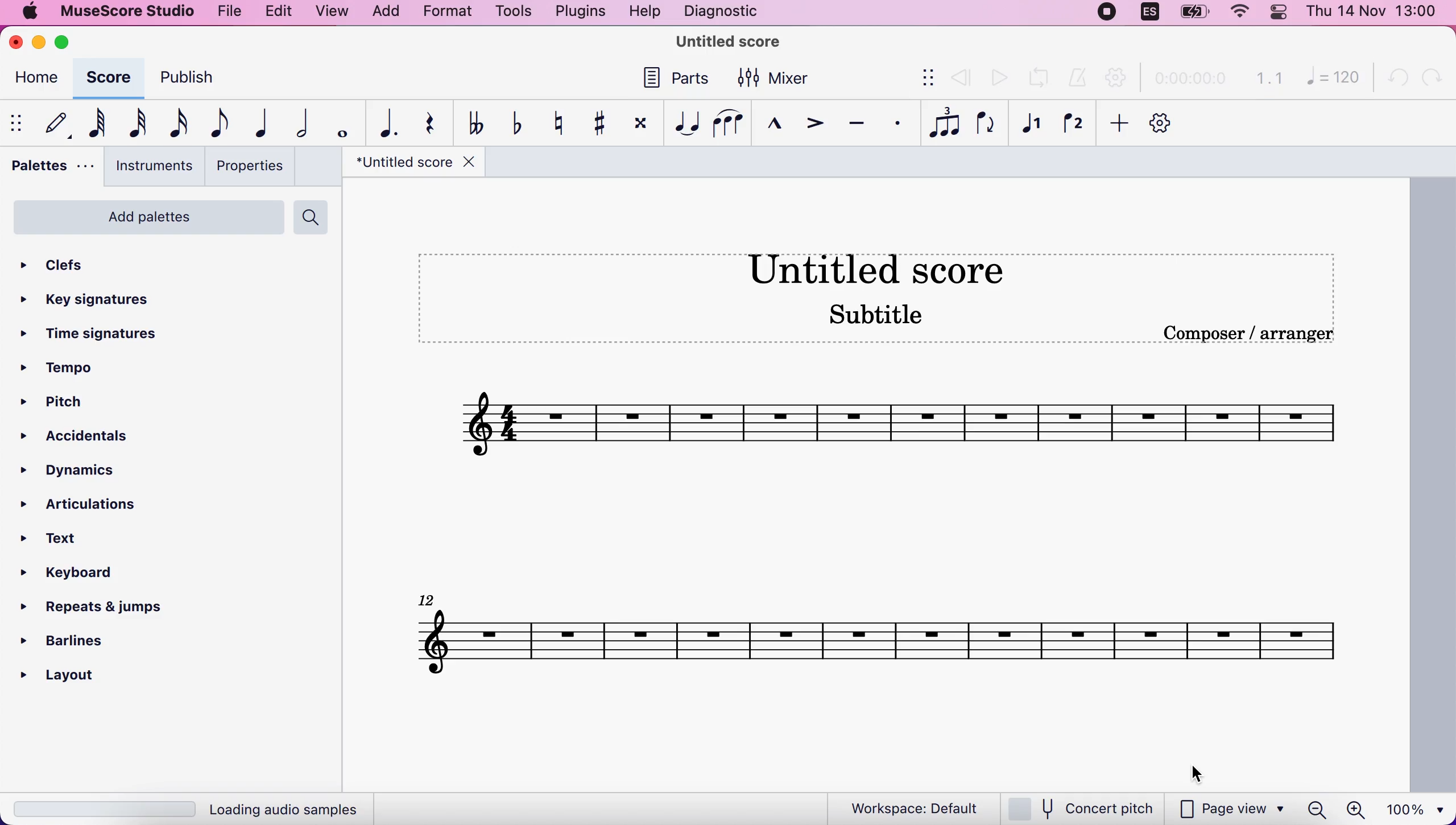  Describe the element at coordinates (916, 807) in the screenshot. I see `workspace default` at that location.